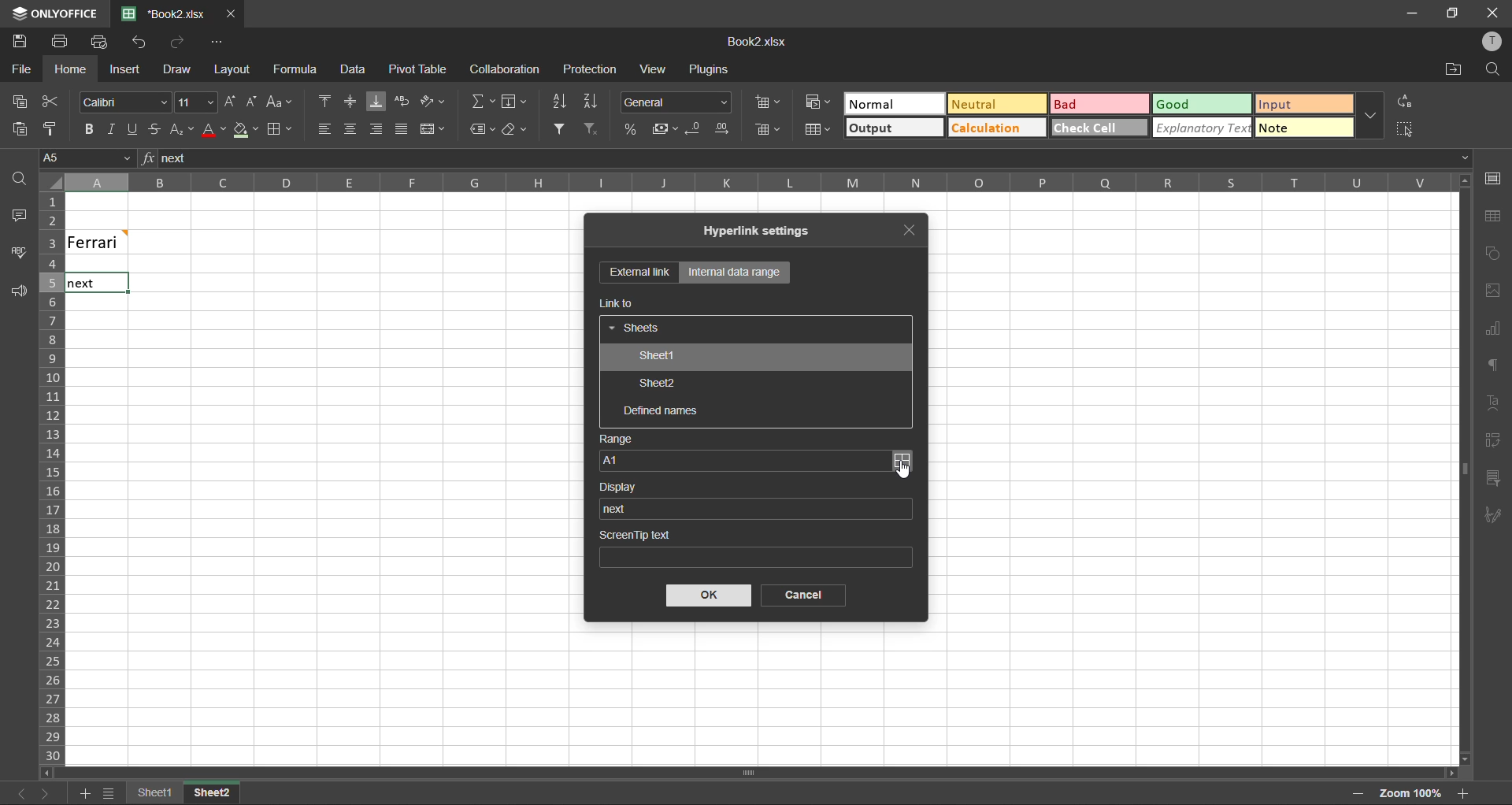 The width and height of the screenshot is (1512, 805). I want to click on display, so click(624, 487).